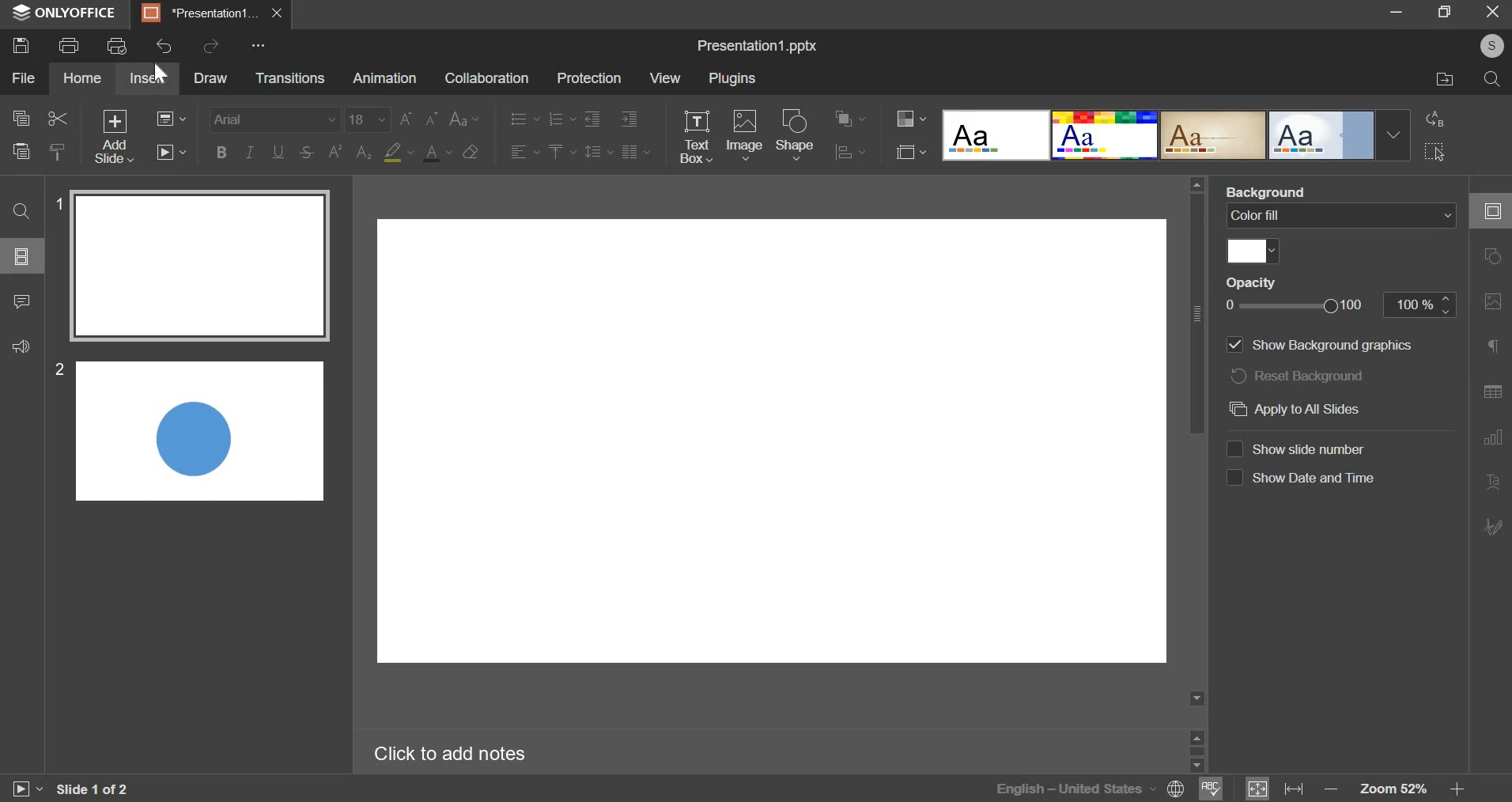  What do you see at coordinates (20, 346) in the screenshot?
I see `feedback` at bounding box center [20, 346].